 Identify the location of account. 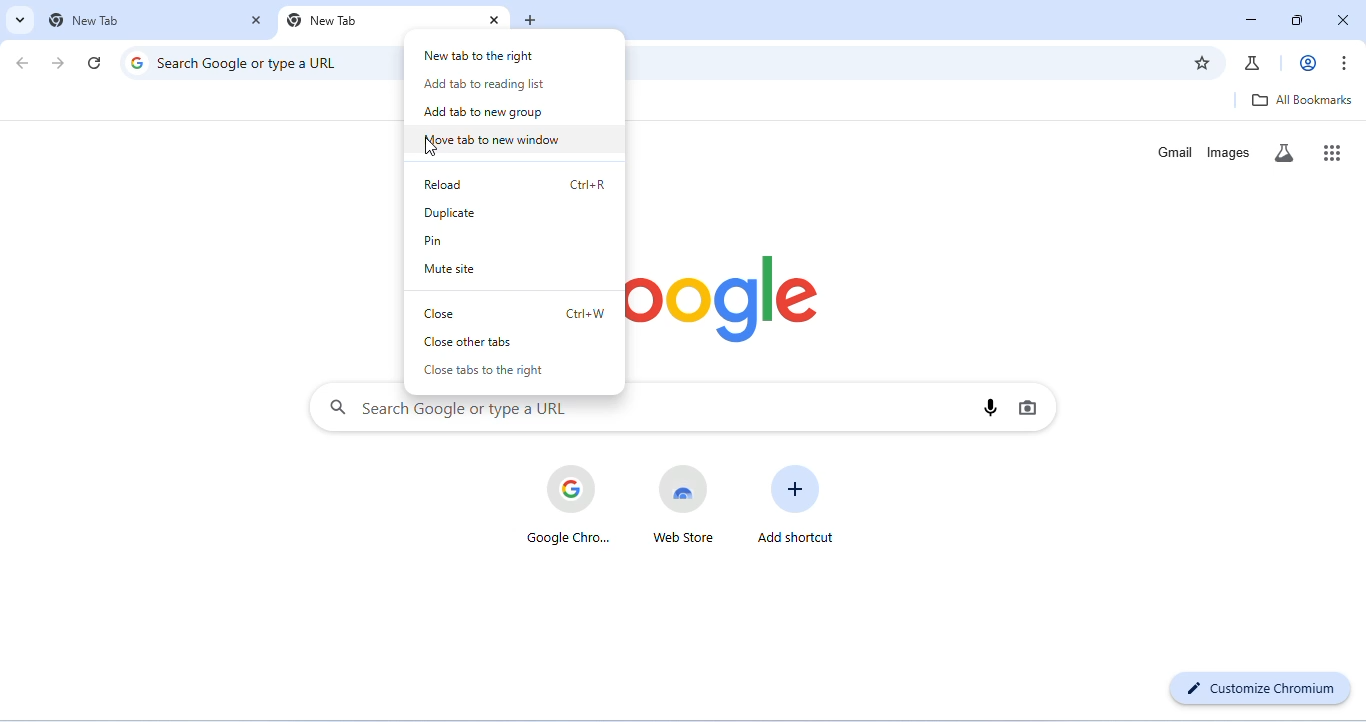
(1308, 63).